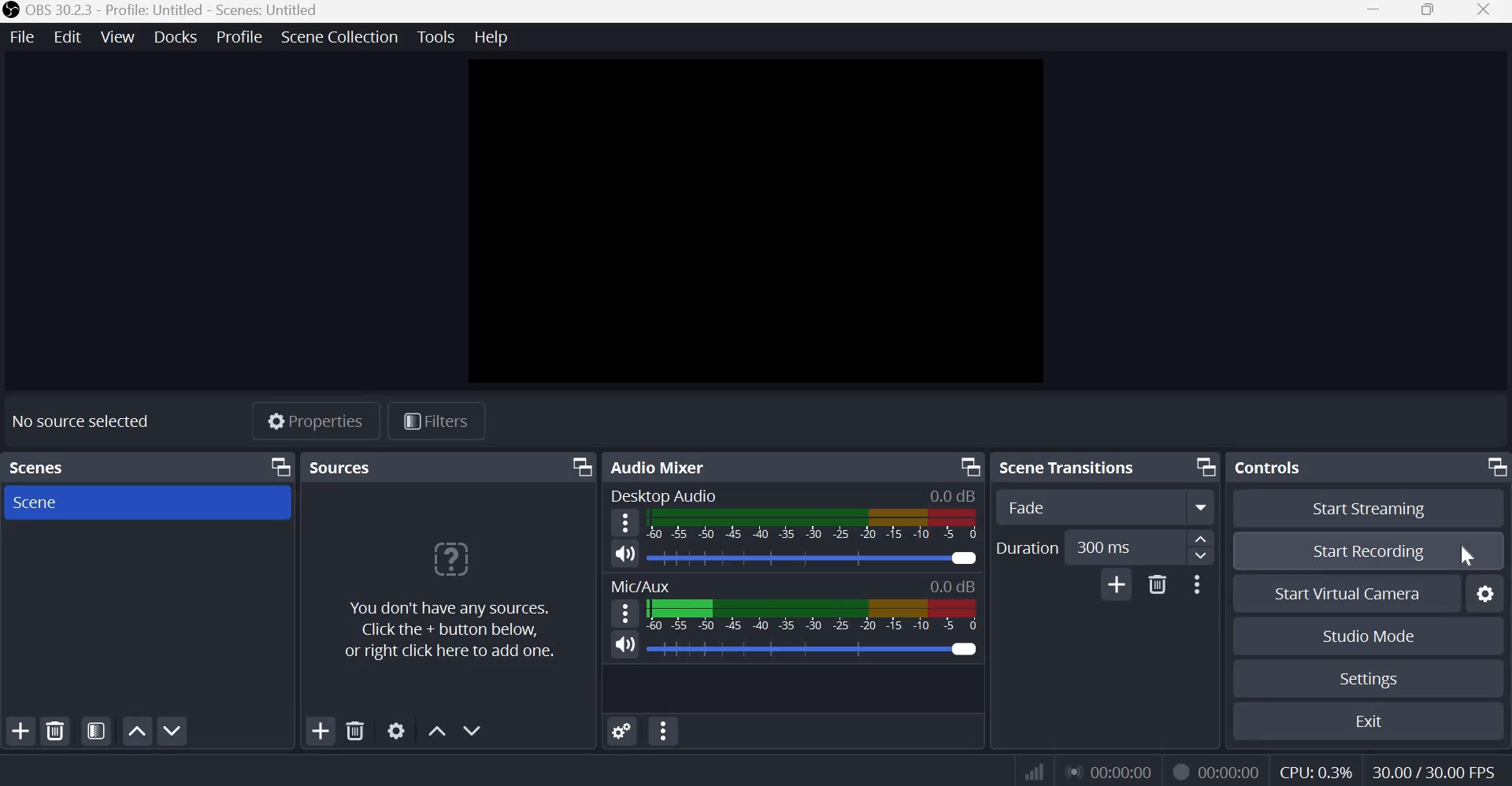 This screenshot has height=786, width=1512. What do you see at coordinates (963, 558) in the screenshot?
I see `Audio Slider` at bounding box center [963, 558].